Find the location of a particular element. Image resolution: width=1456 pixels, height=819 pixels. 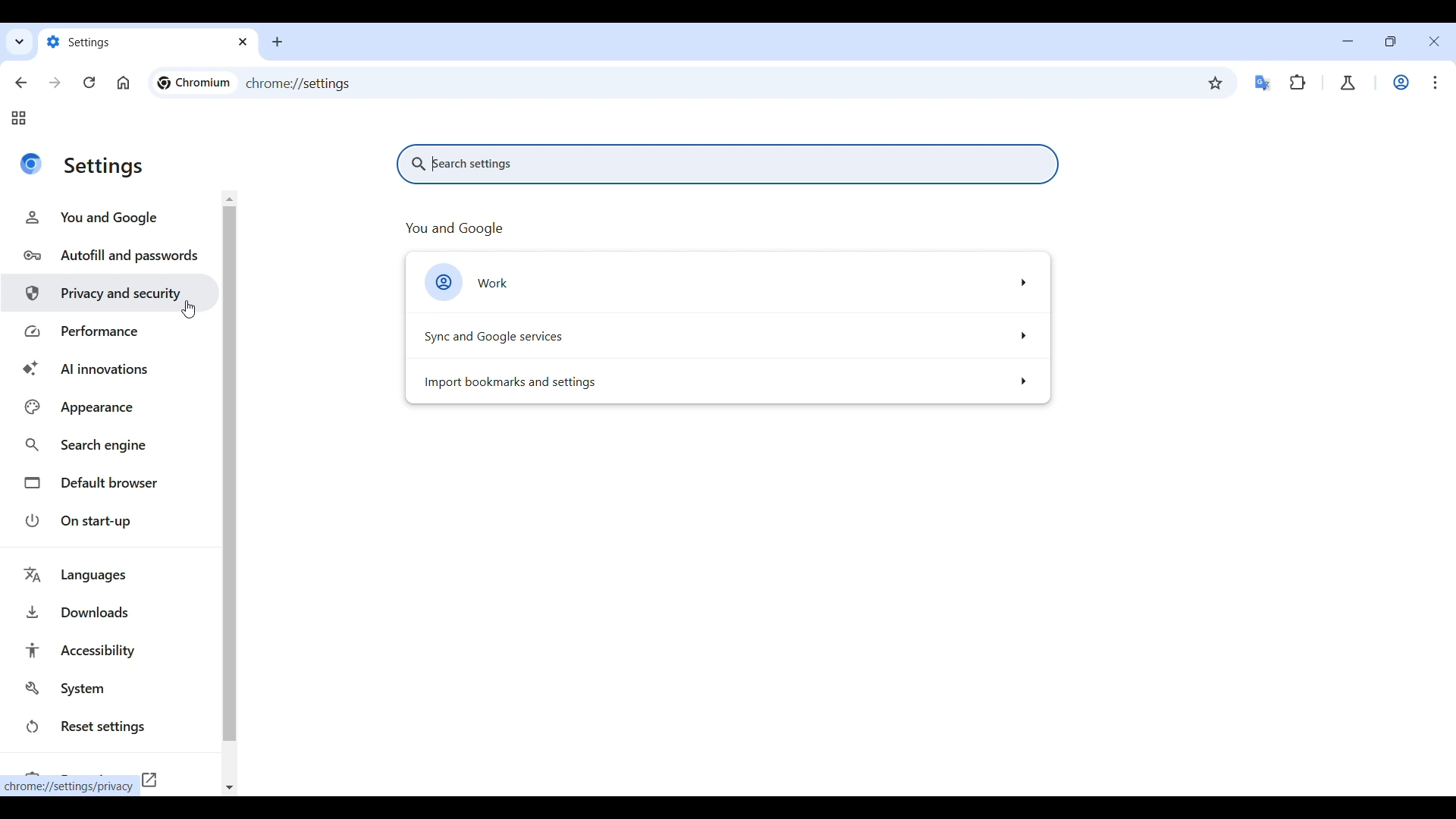

Search engine is located at coordinates (111, 445).